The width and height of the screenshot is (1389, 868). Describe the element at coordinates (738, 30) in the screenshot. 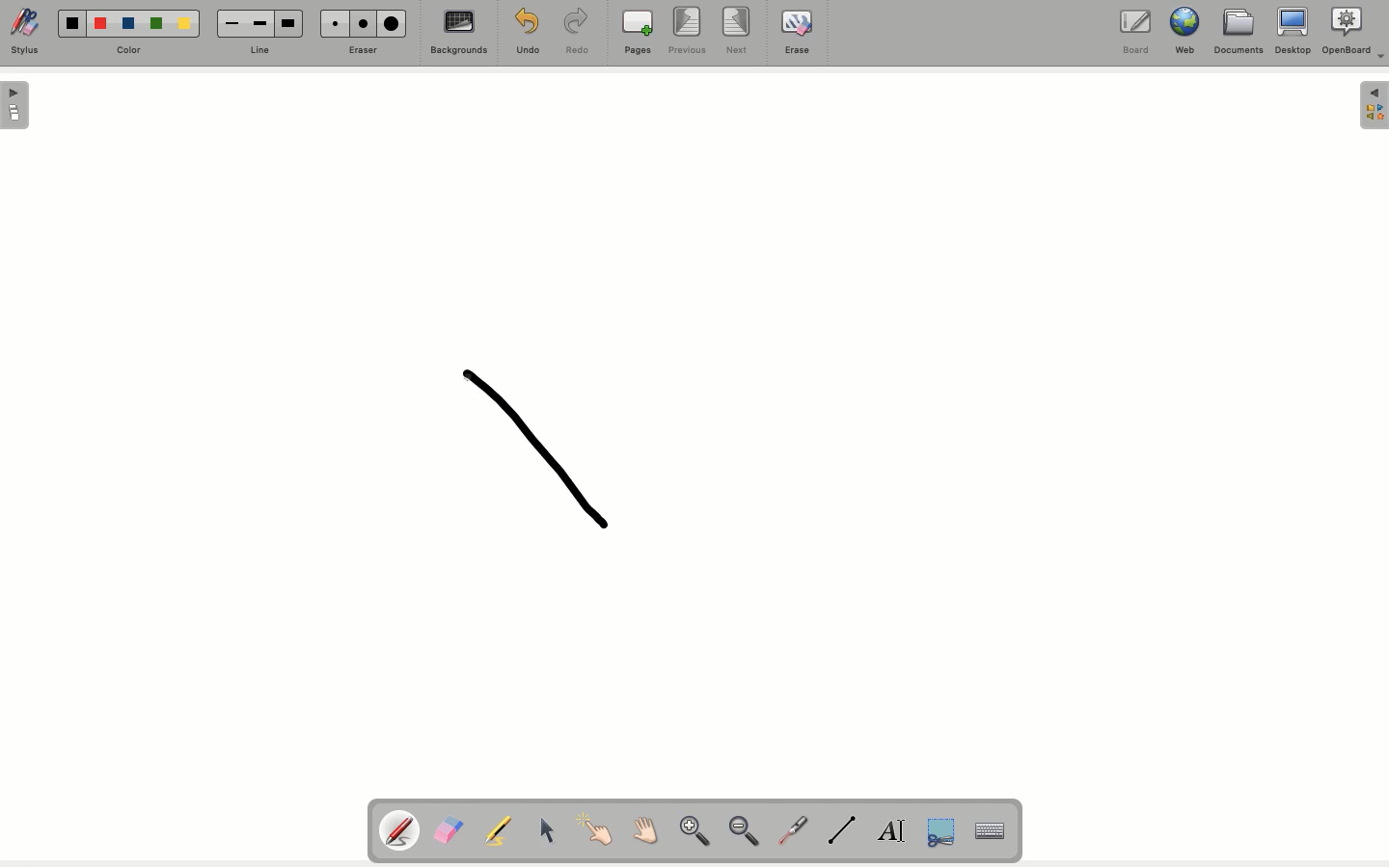

I see `Next` at that location.